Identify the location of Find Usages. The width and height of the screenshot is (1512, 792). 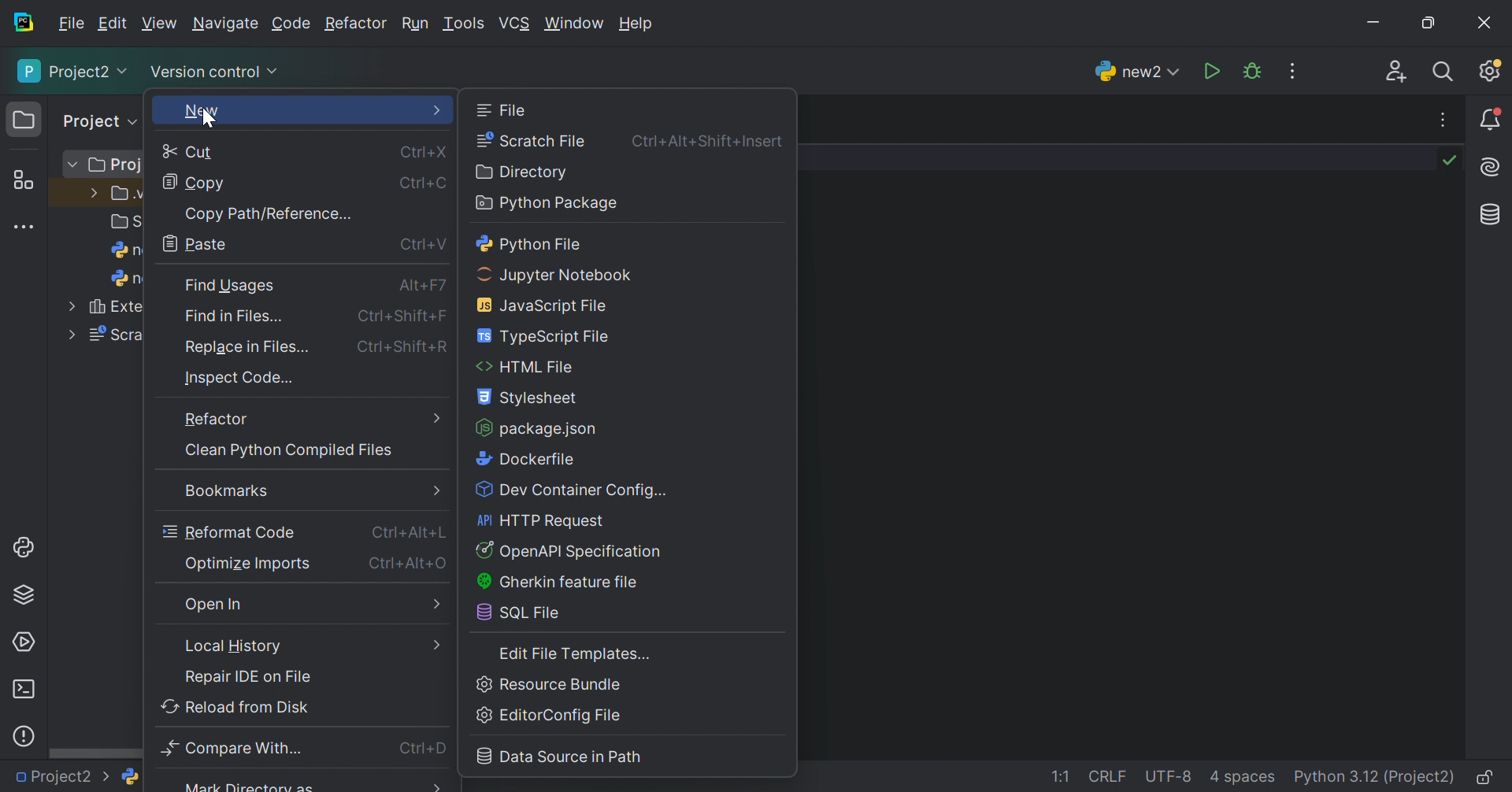
(231, 284).